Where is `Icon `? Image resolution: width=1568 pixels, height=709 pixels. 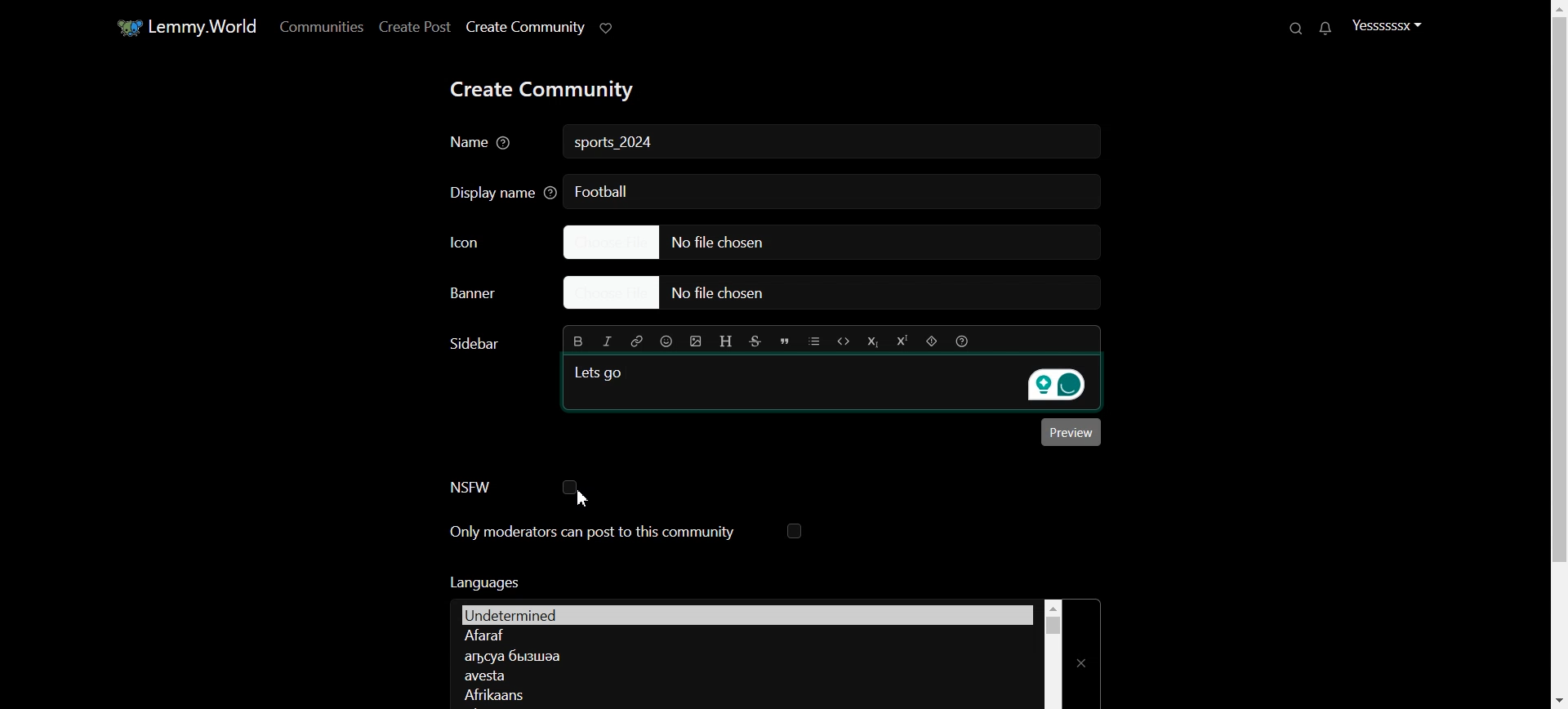 Icon  is located at coordinates (490, 241).